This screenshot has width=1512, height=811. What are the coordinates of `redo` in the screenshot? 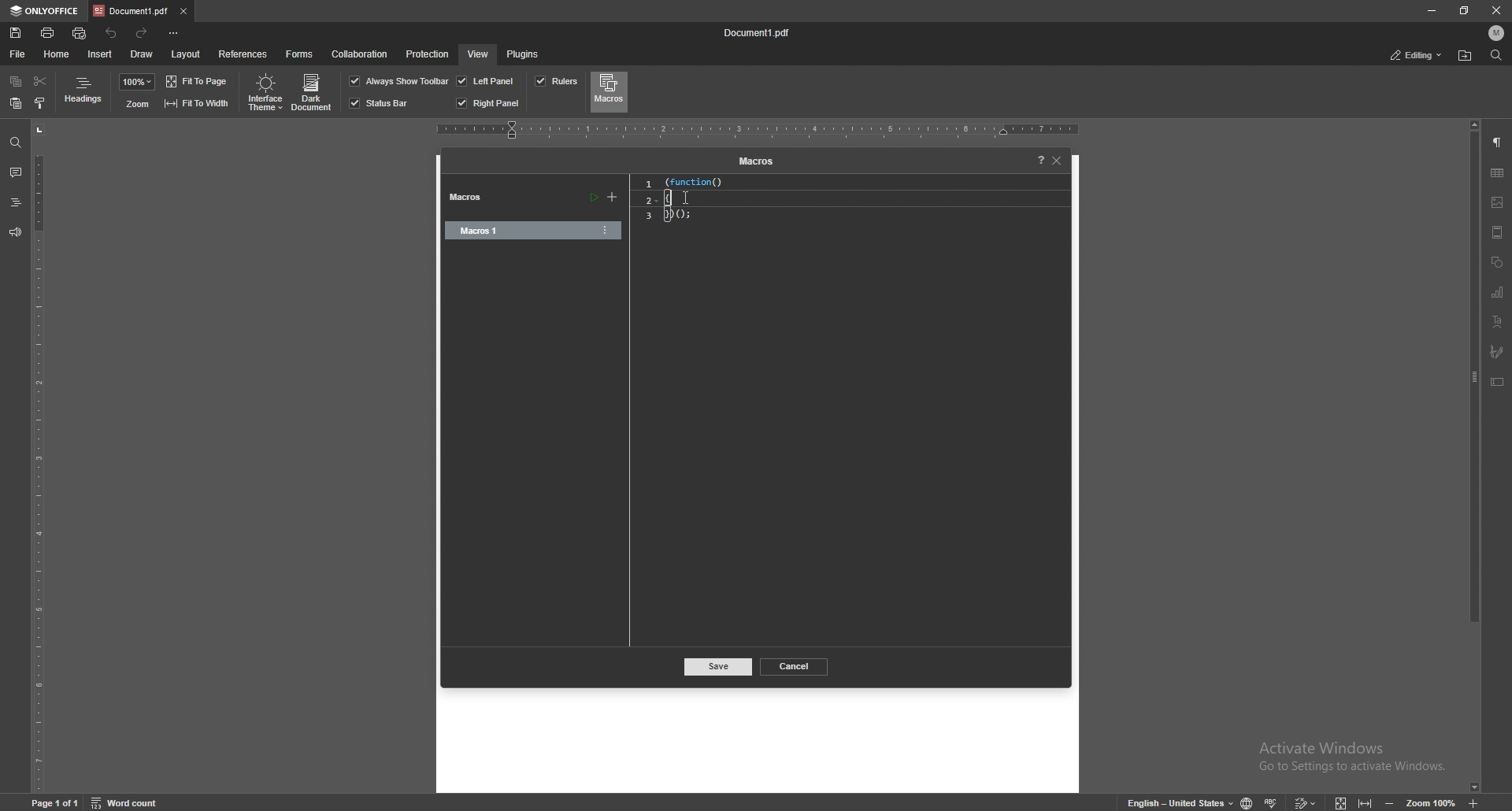 It's located at (144, 32).